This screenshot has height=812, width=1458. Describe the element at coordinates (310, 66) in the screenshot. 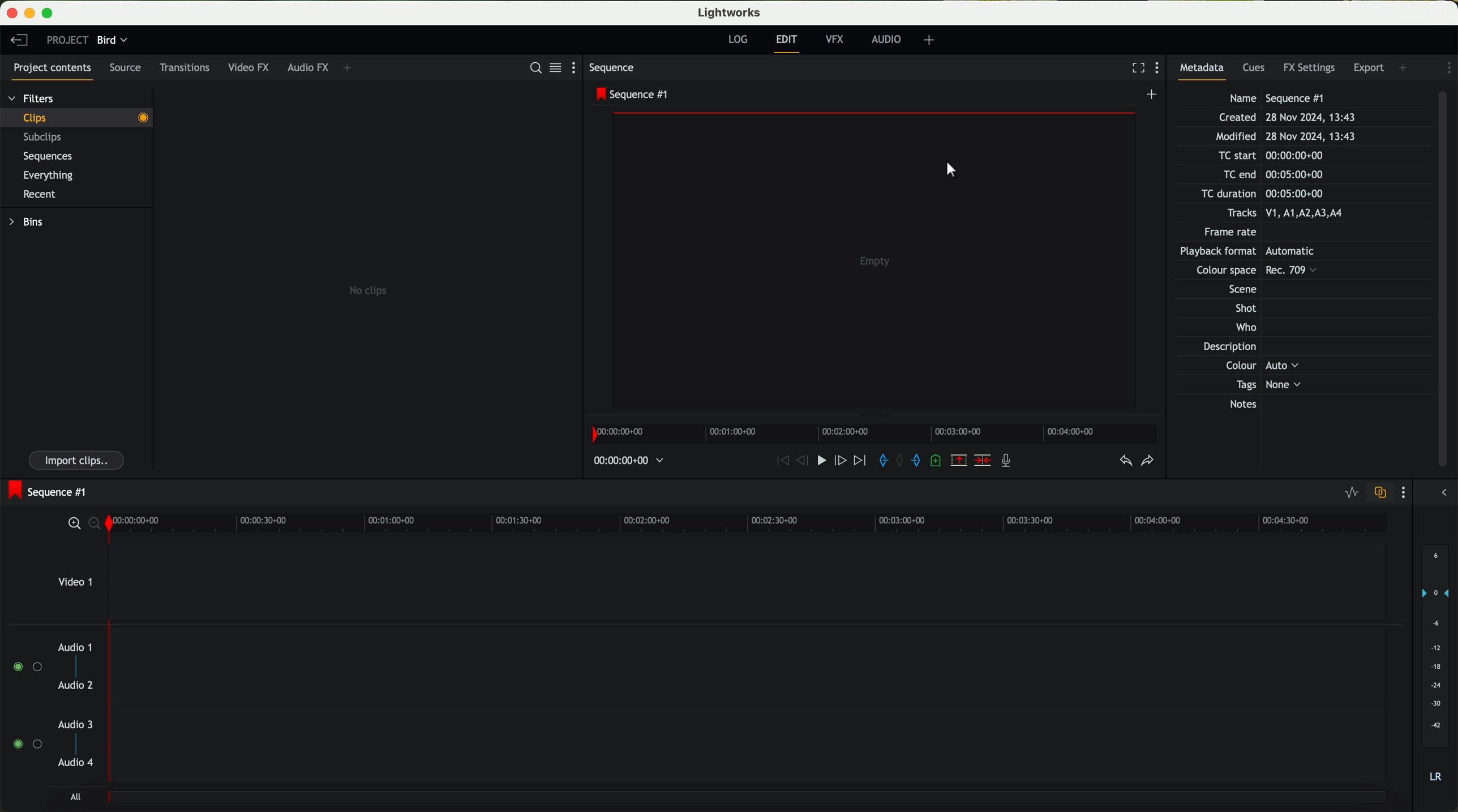

I see `audio FX` at that location.